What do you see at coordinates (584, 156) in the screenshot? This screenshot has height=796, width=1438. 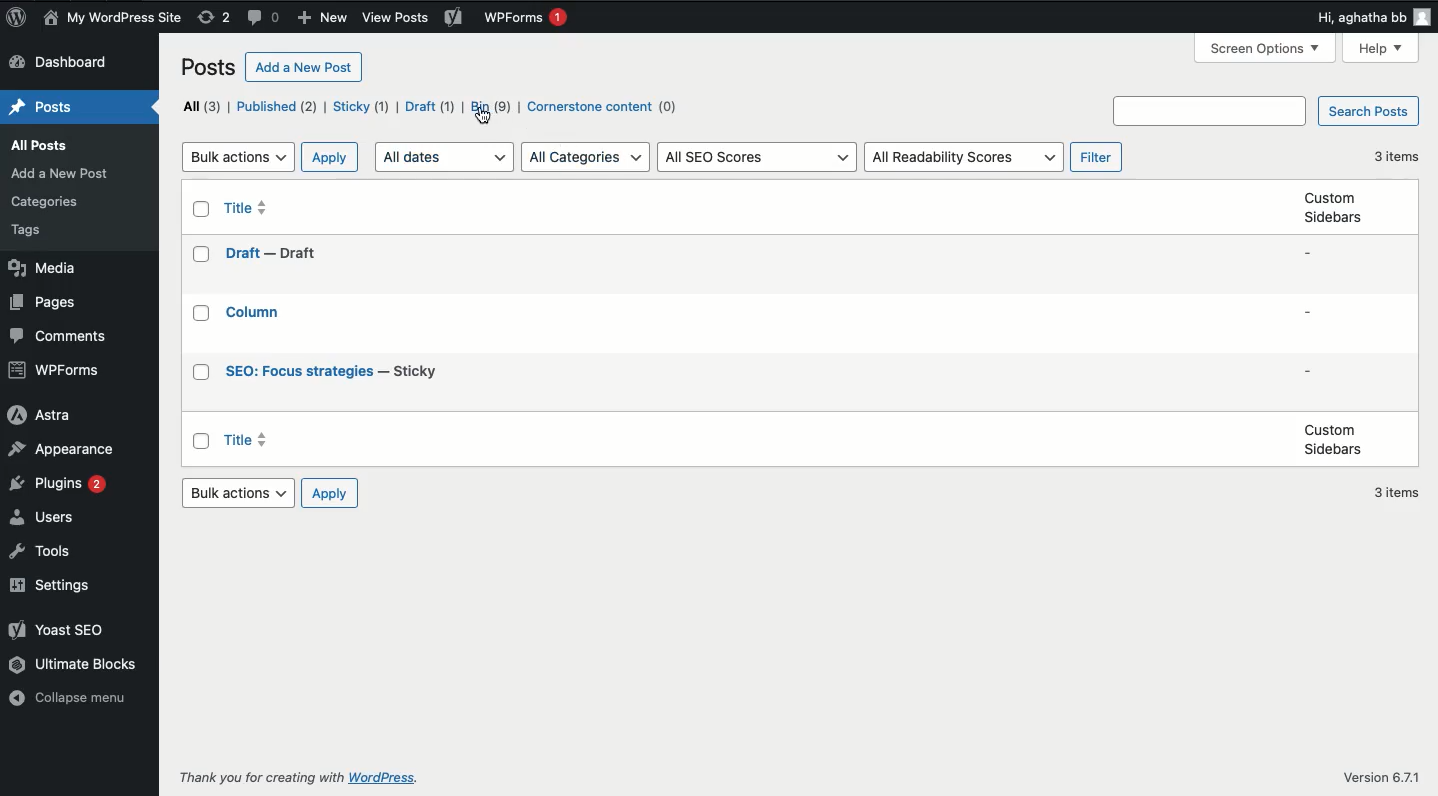 I see `All categories` at bounding box center [584, 156].